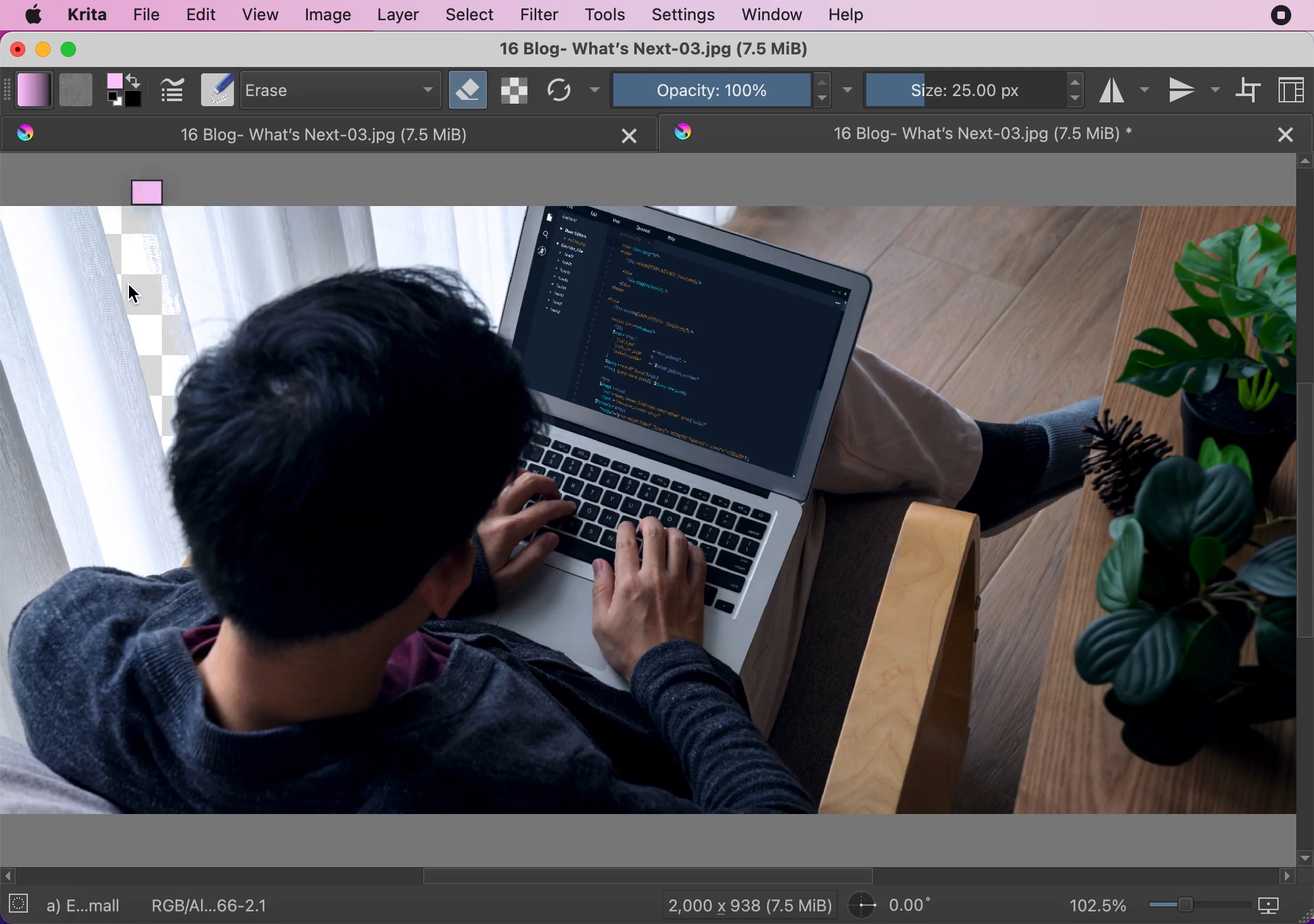  What do you see at coordinates (16, 49) in the screenshot?
I see `close` at bounding box center [16, 49].